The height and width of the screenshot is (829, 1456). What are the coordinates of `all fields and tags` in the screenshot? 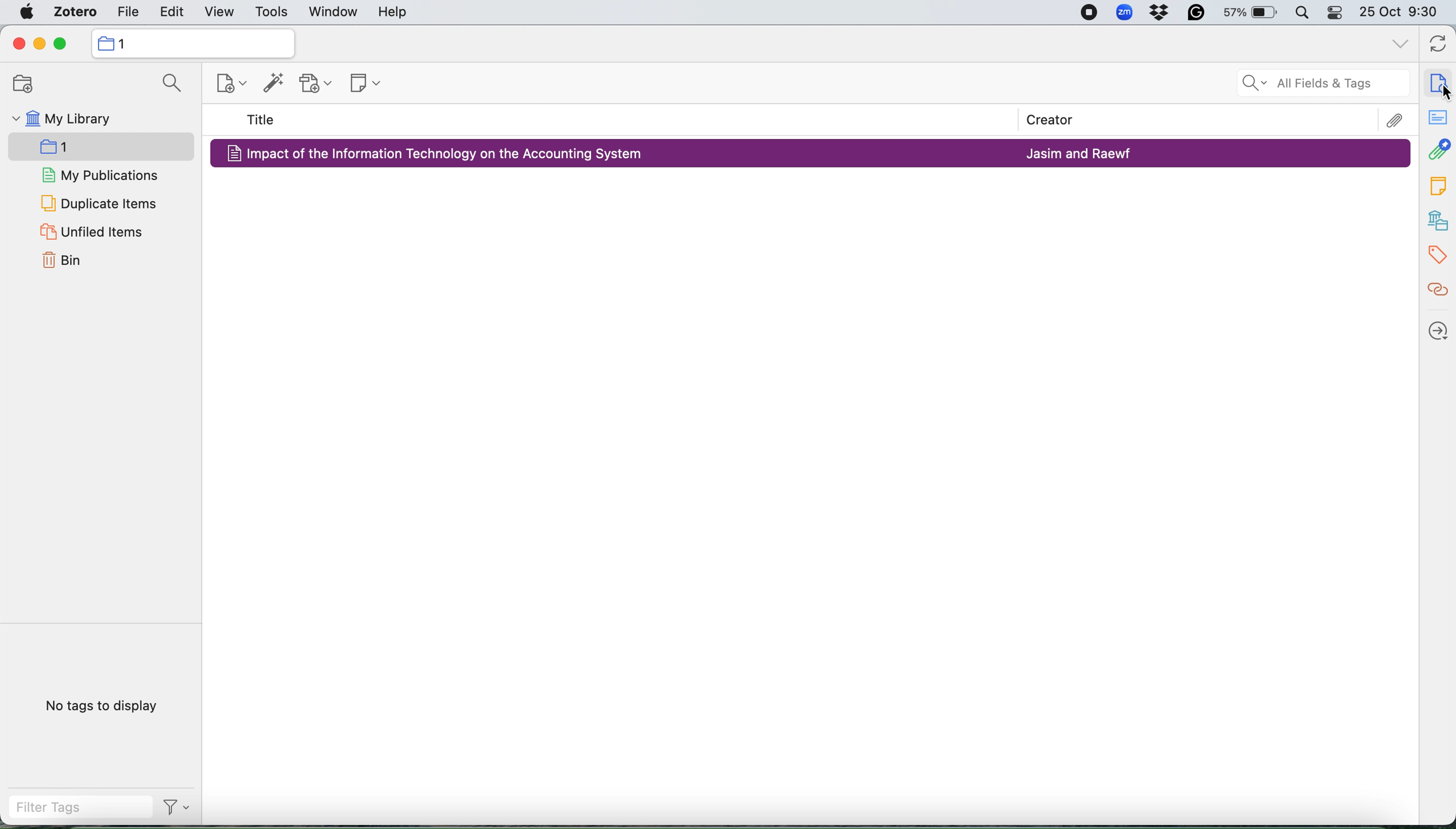 It's located at (1301, 85).